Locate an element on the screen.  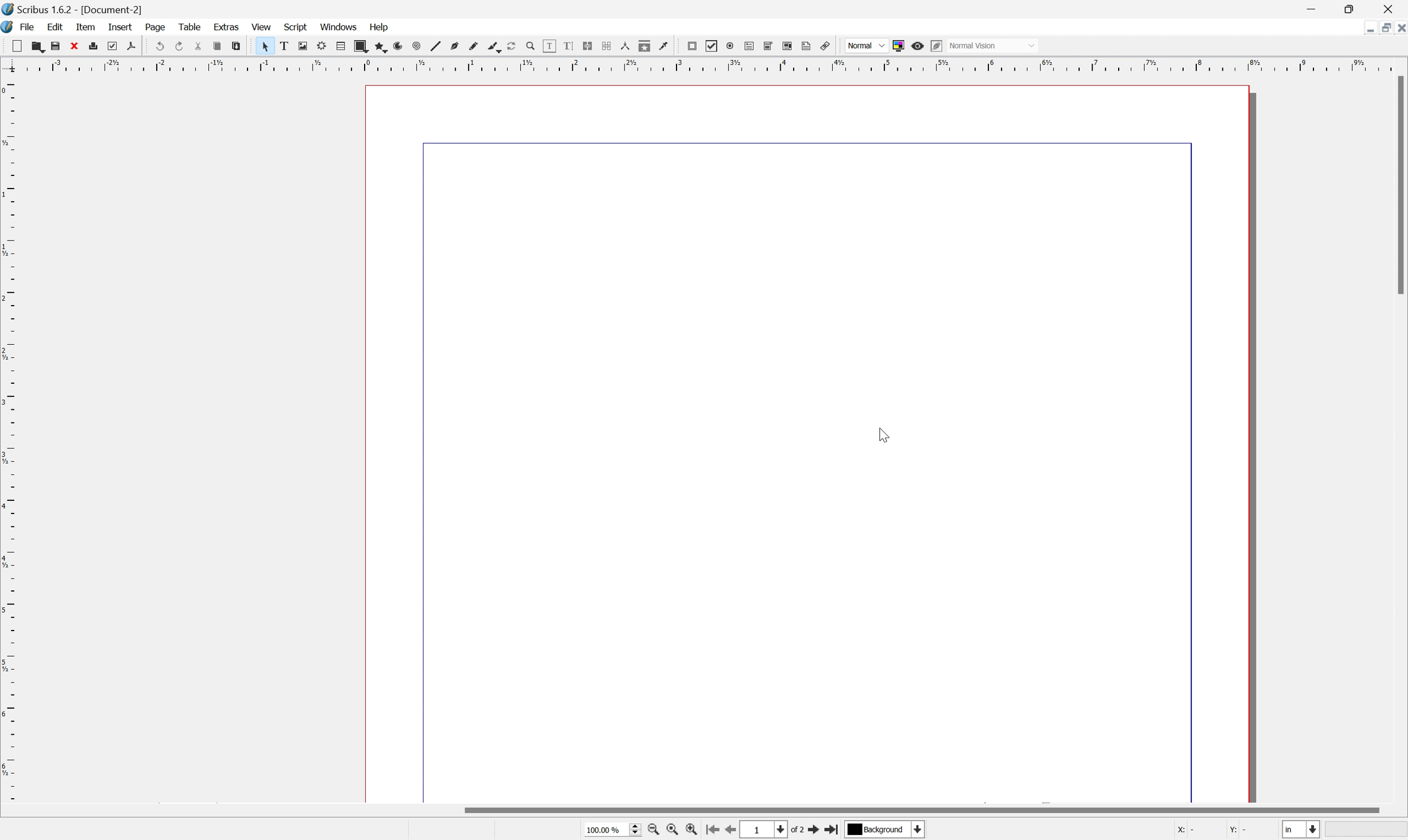
Save as PDF is located at coordinates (136, 46).